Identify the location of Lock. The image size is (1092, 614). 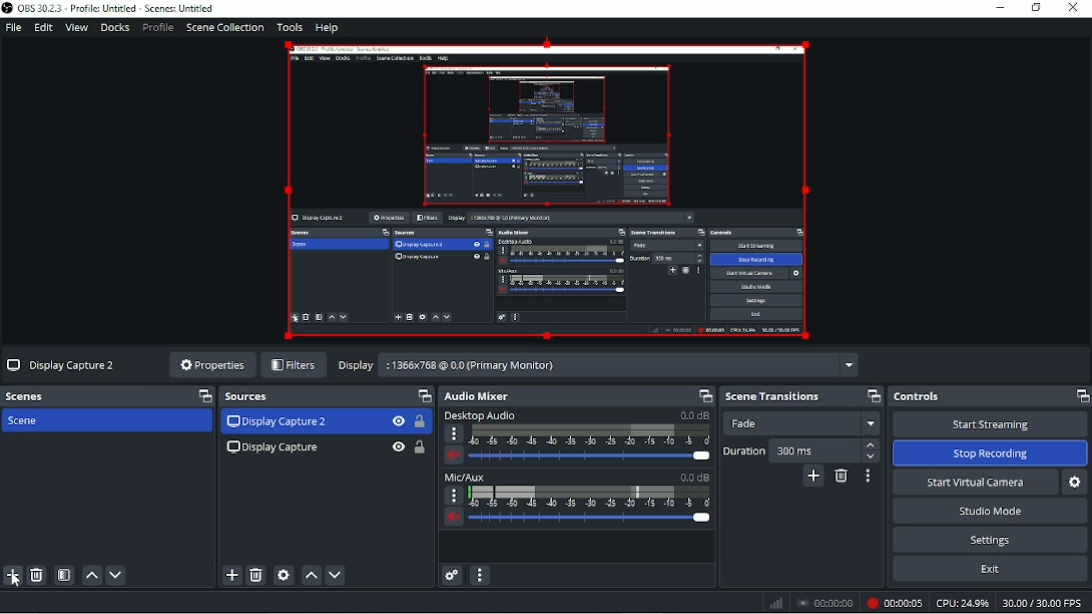
(418, 421).